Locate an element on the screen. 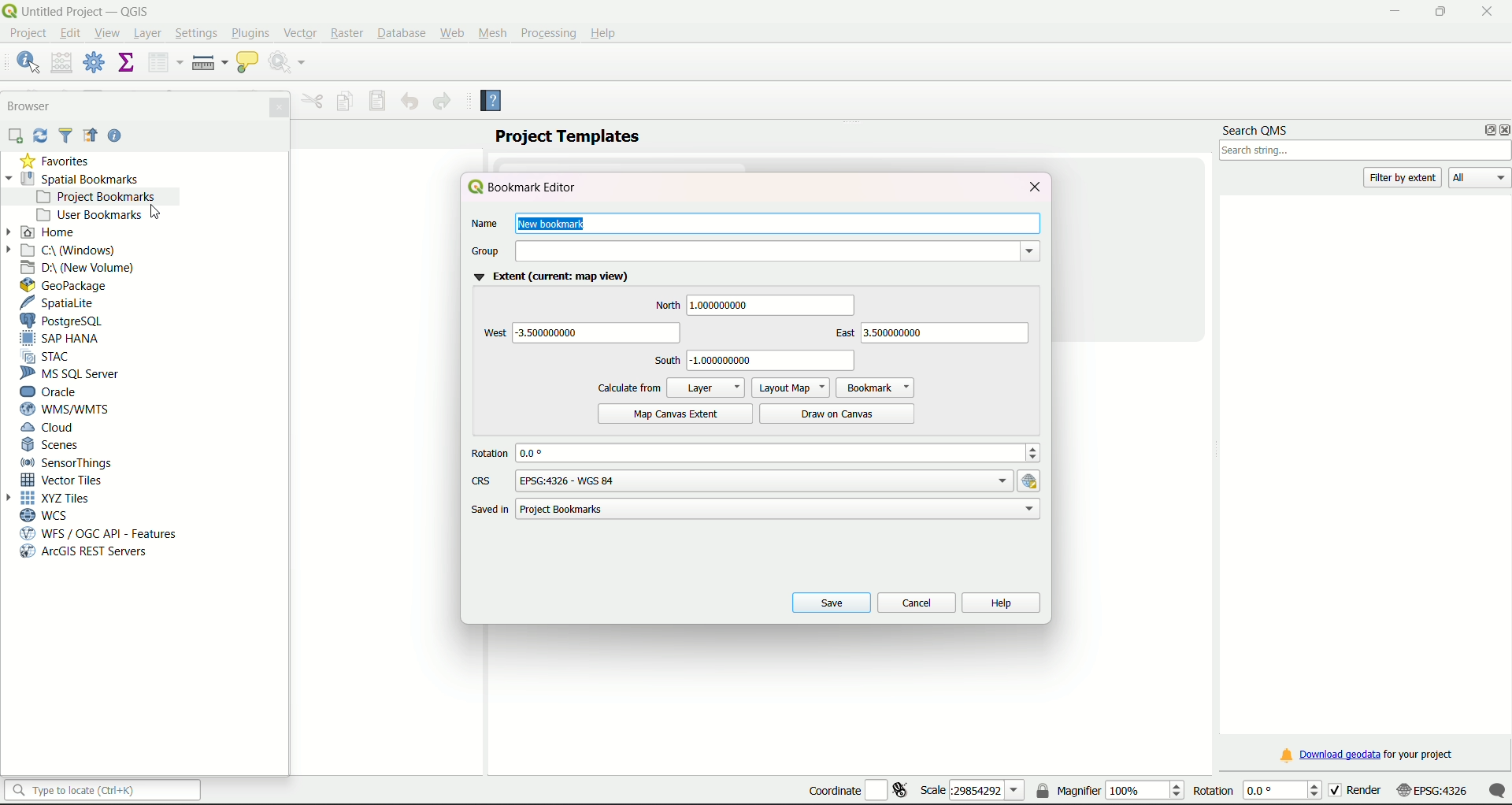 This screenshot has height=805, width=1512. hyperlink is located at coordinates (1033, 480).